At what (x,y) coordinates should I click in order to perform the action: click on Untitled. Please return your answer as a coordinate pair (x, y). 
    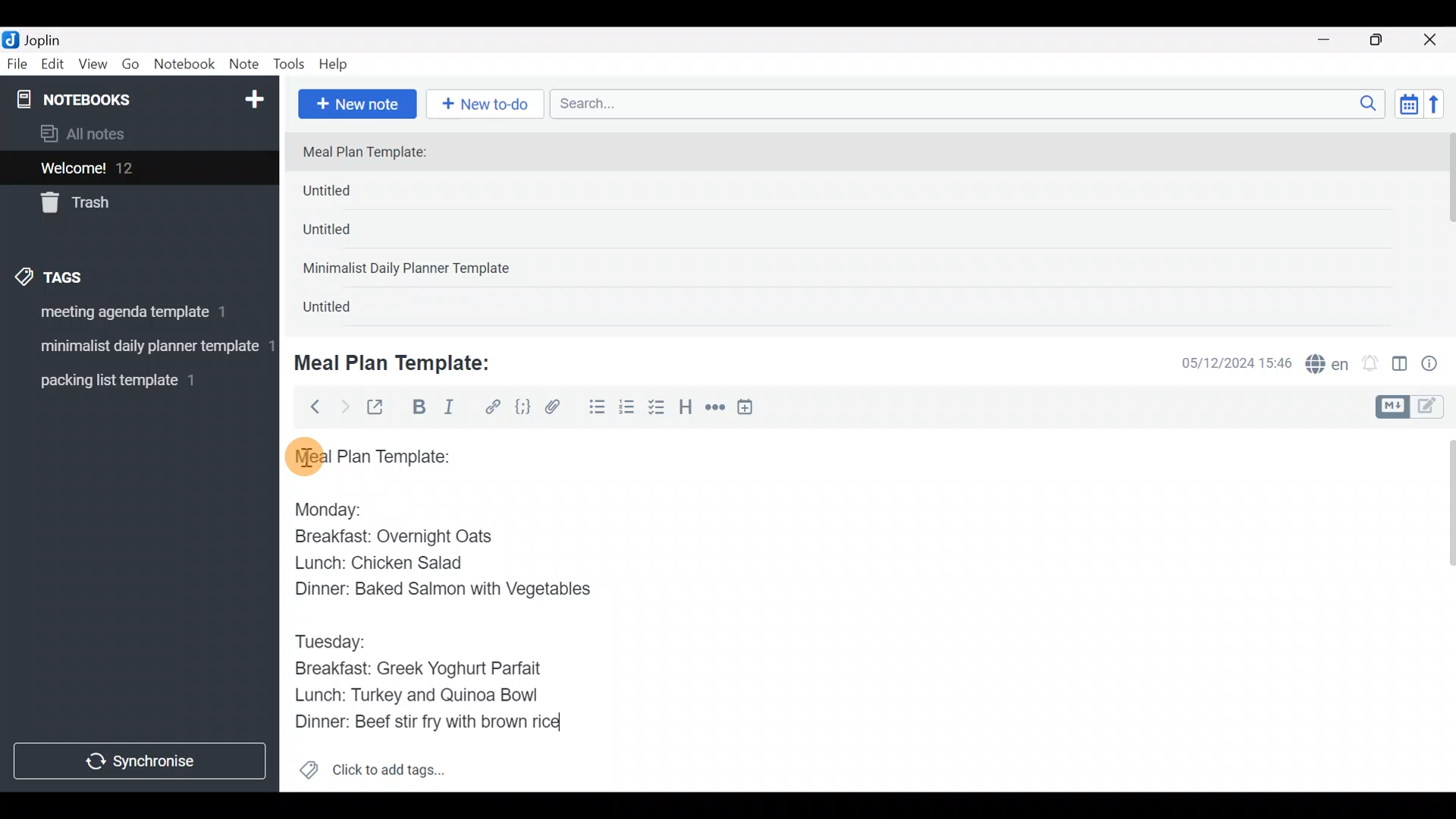
    Looking at the image, I should click on (347, 234).